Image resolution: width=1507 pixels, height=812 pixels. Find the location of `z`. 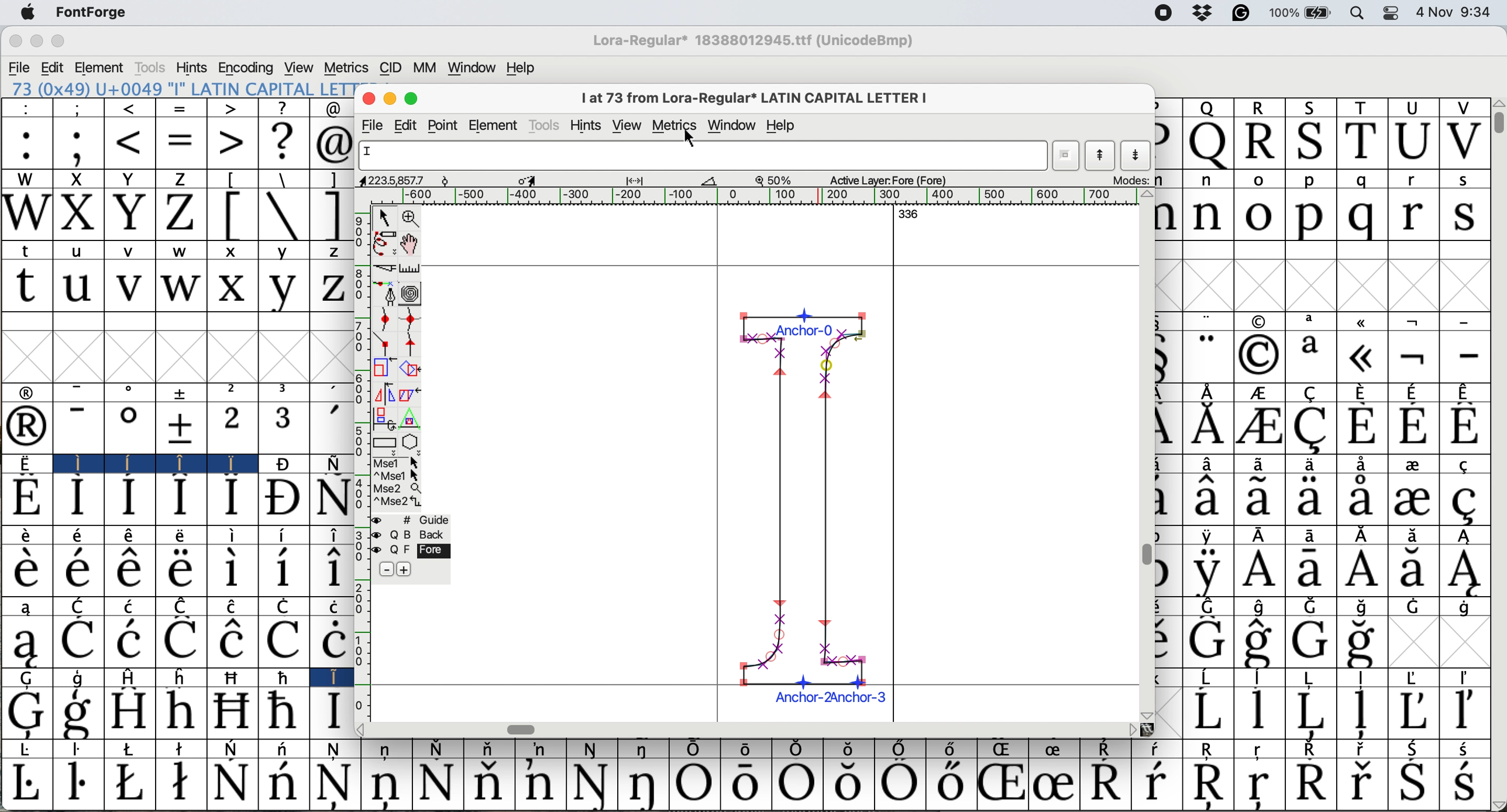

z is located at coordinates (330, 253).